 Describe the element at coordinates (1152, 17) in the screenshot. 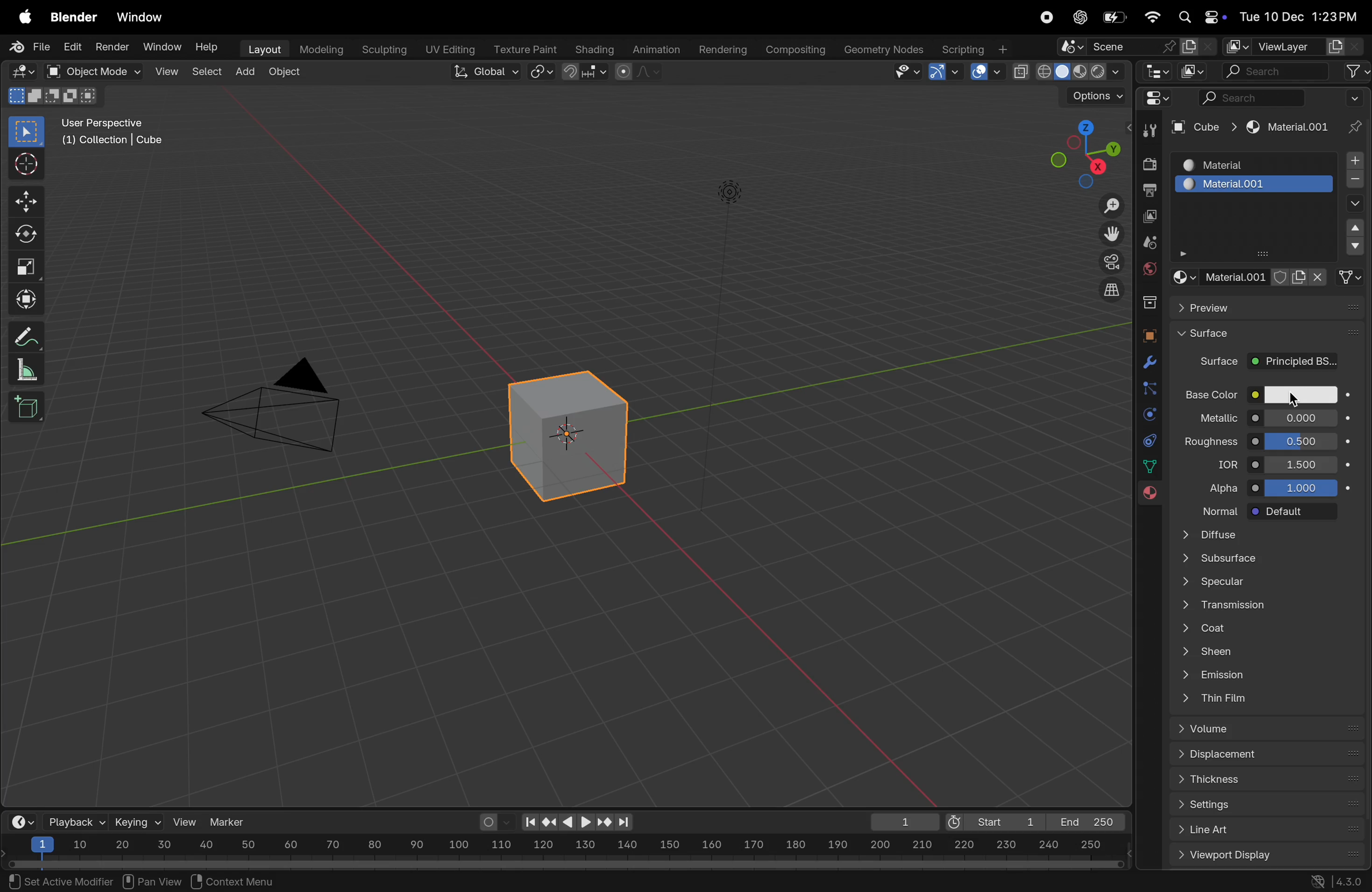

I see `wifi` at that location.